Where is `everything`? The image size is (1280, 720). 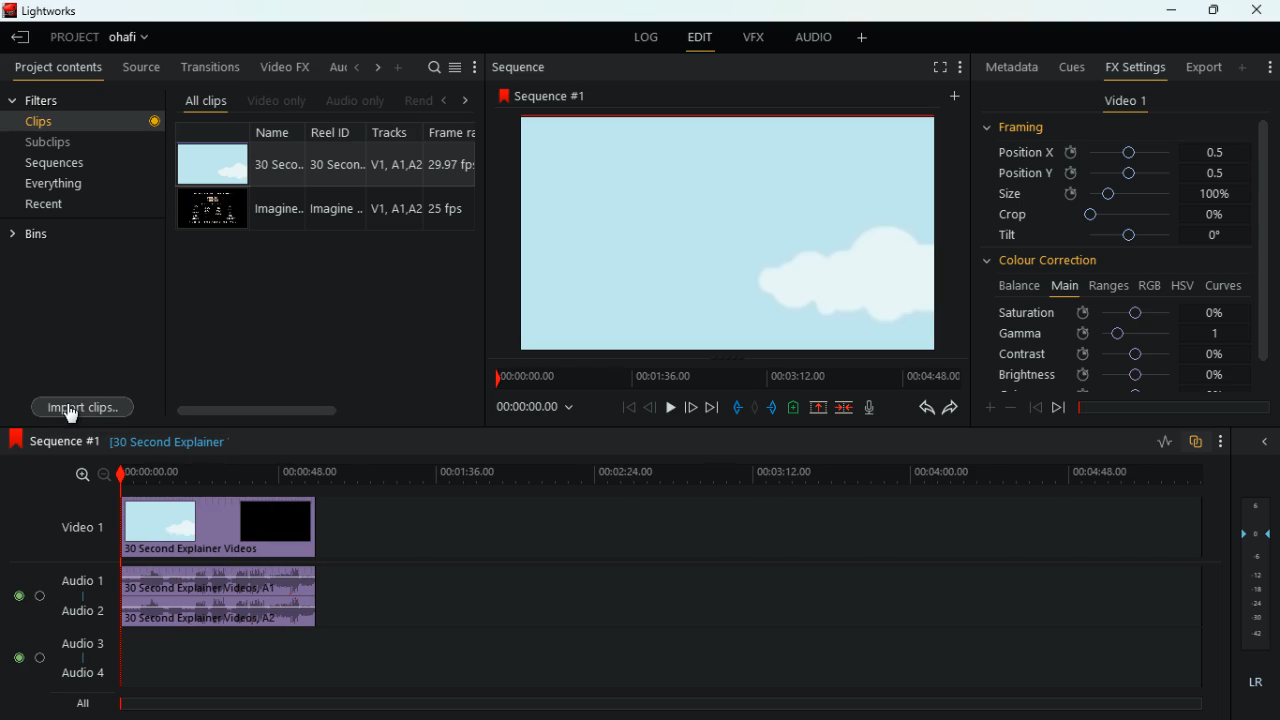
everything is located at coordinates (73, 187).